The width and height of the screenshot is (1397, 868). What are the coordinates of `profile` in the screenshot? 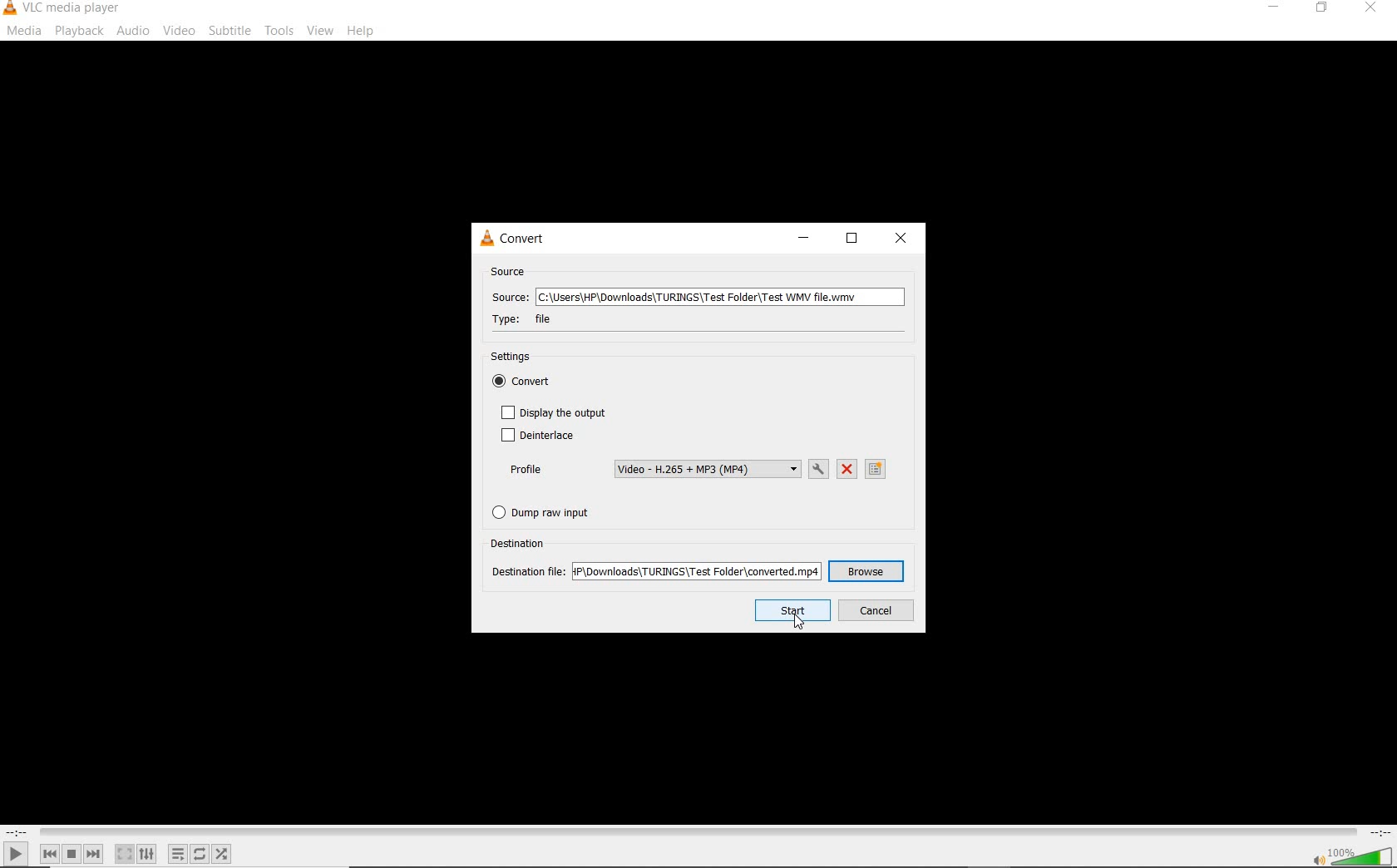 It's located at (526, 470).